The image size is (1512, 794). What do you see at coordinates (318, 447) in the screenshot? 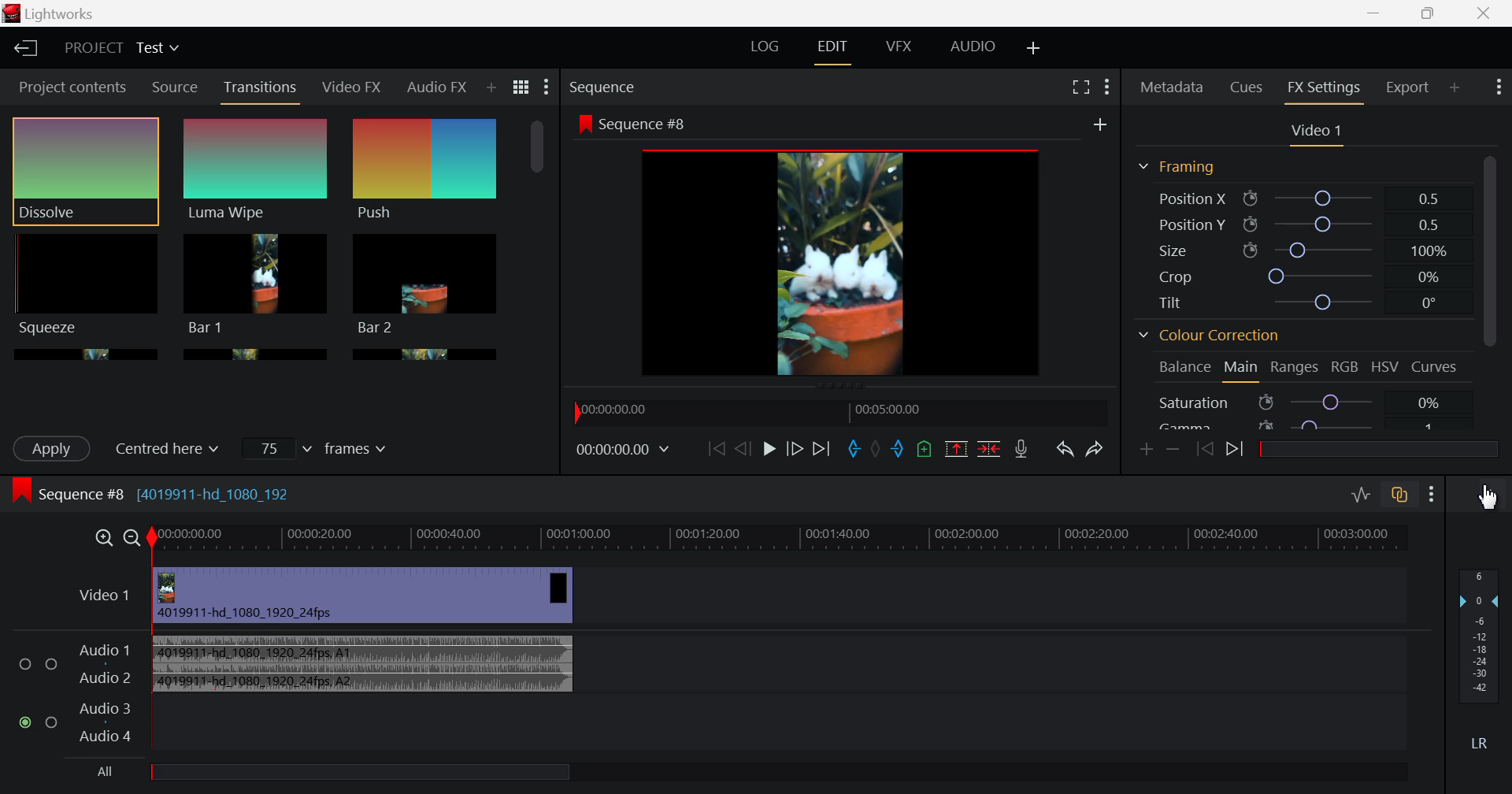
I see `Frames Input` at bounding box center [318, 447].